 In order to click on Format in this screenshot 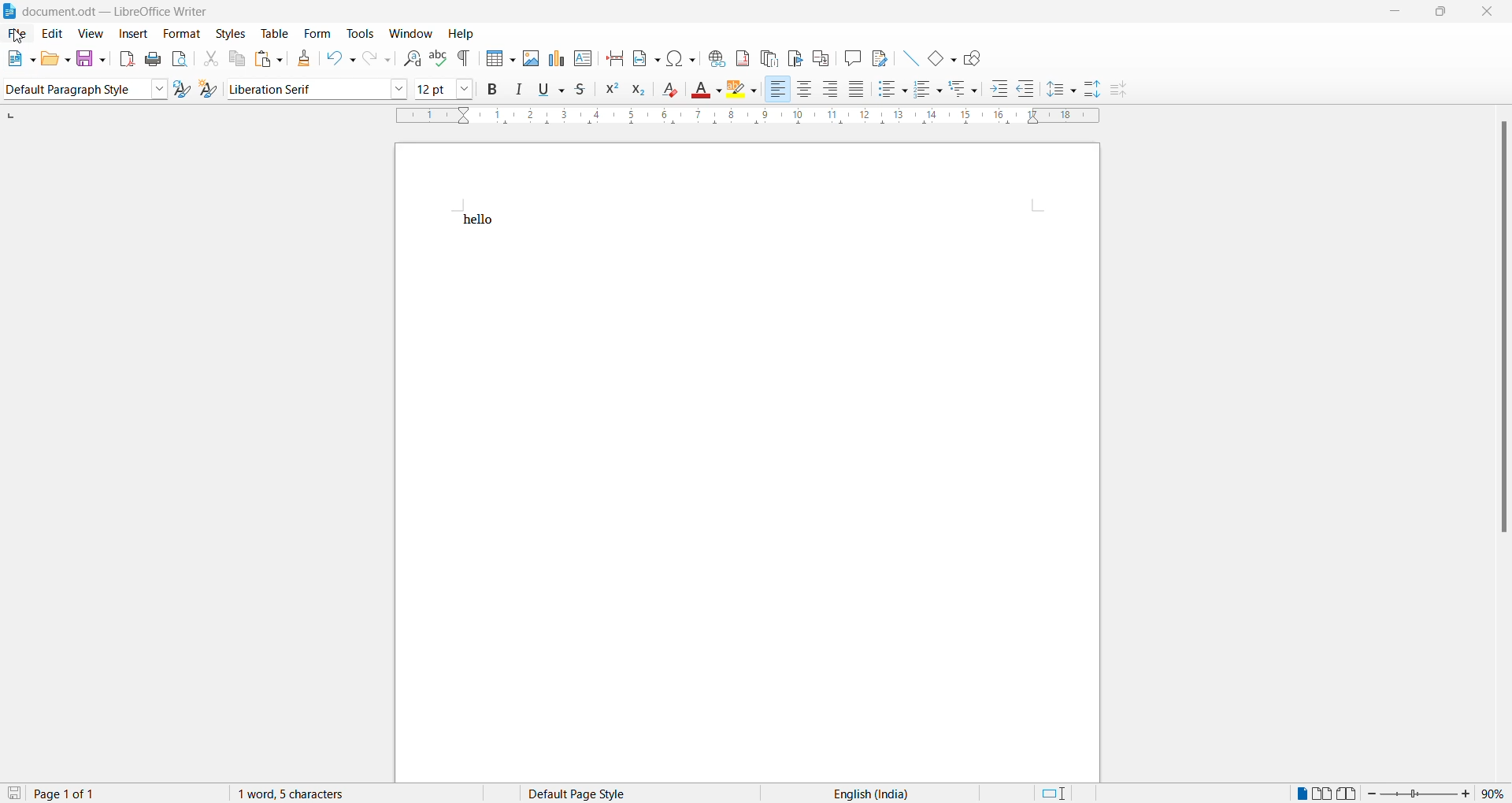, I will do `click(182, 34)`.